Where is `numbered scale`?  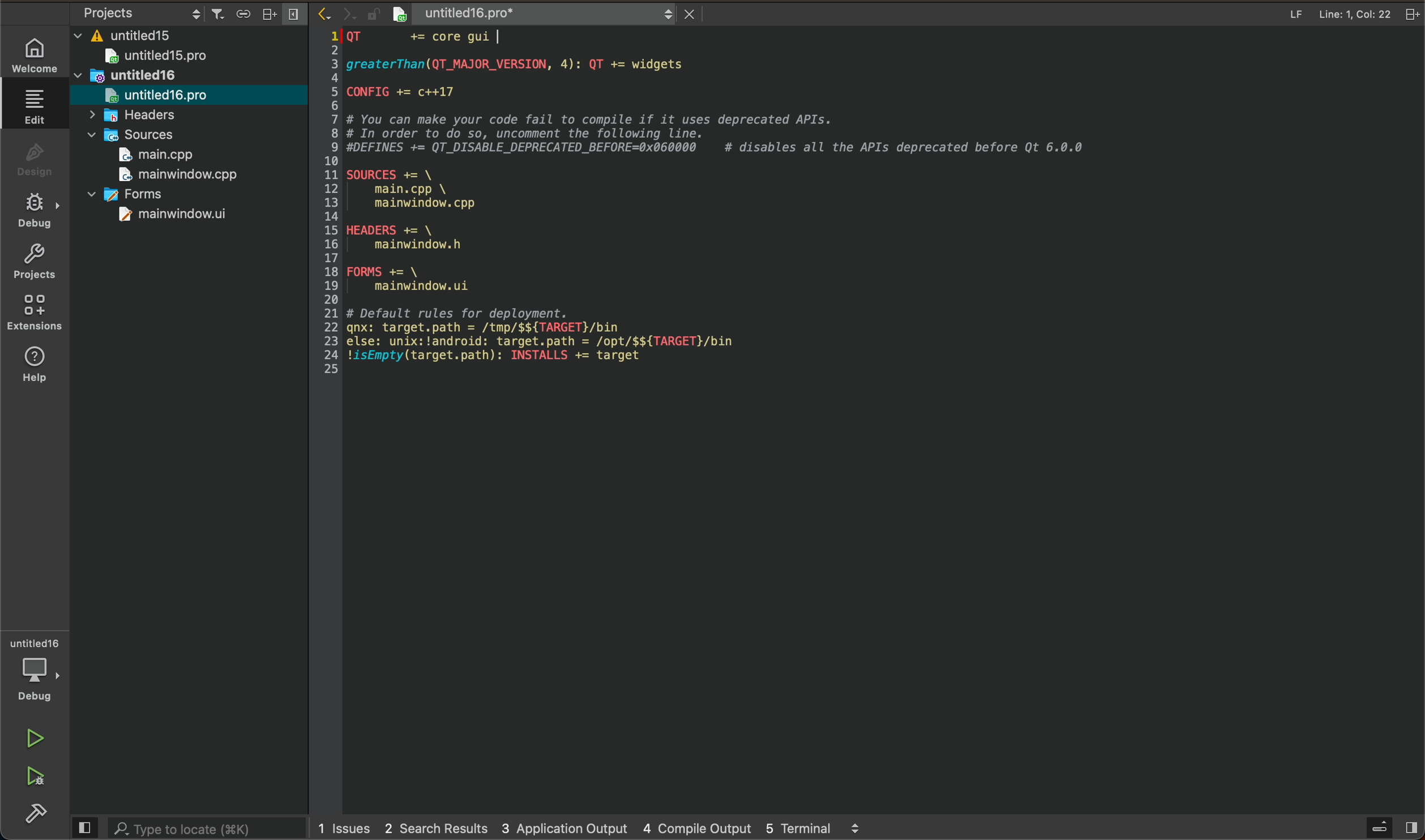
numbered scale is located at coordinates (332, 203).